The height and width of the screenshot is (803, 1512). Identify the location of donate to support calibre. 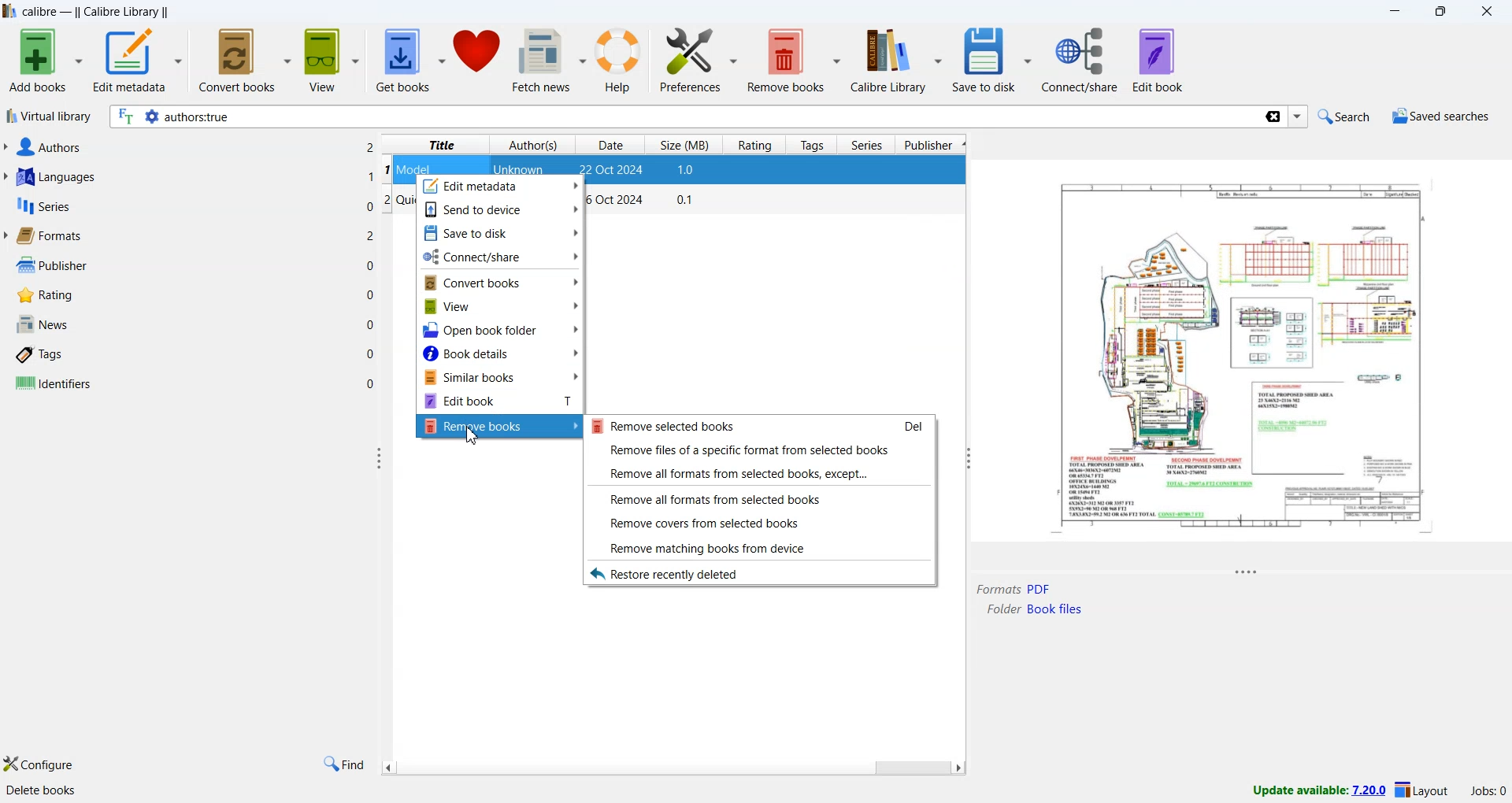
(479, 55).